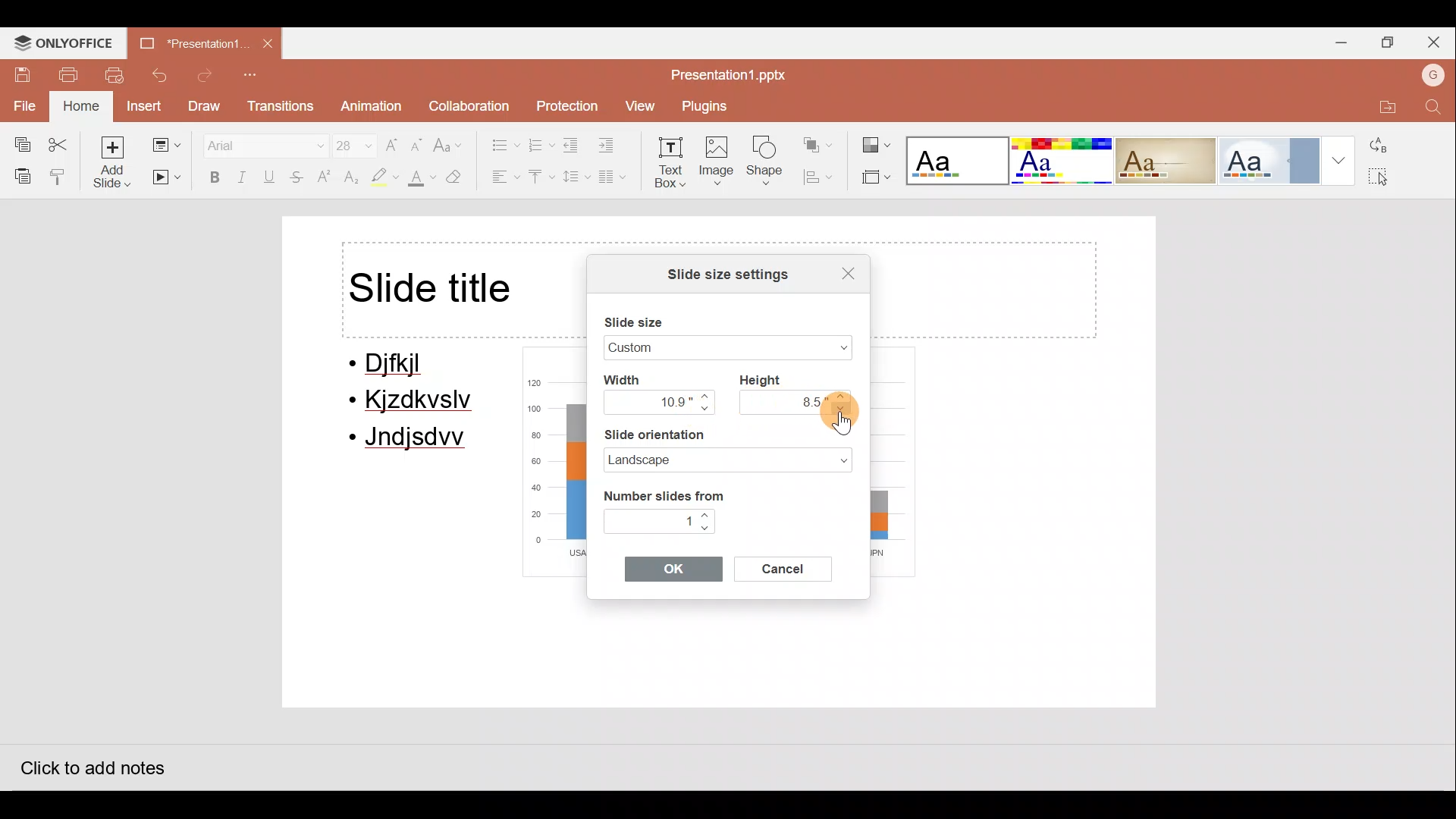  I want to click on Animation, so click(369, 107).